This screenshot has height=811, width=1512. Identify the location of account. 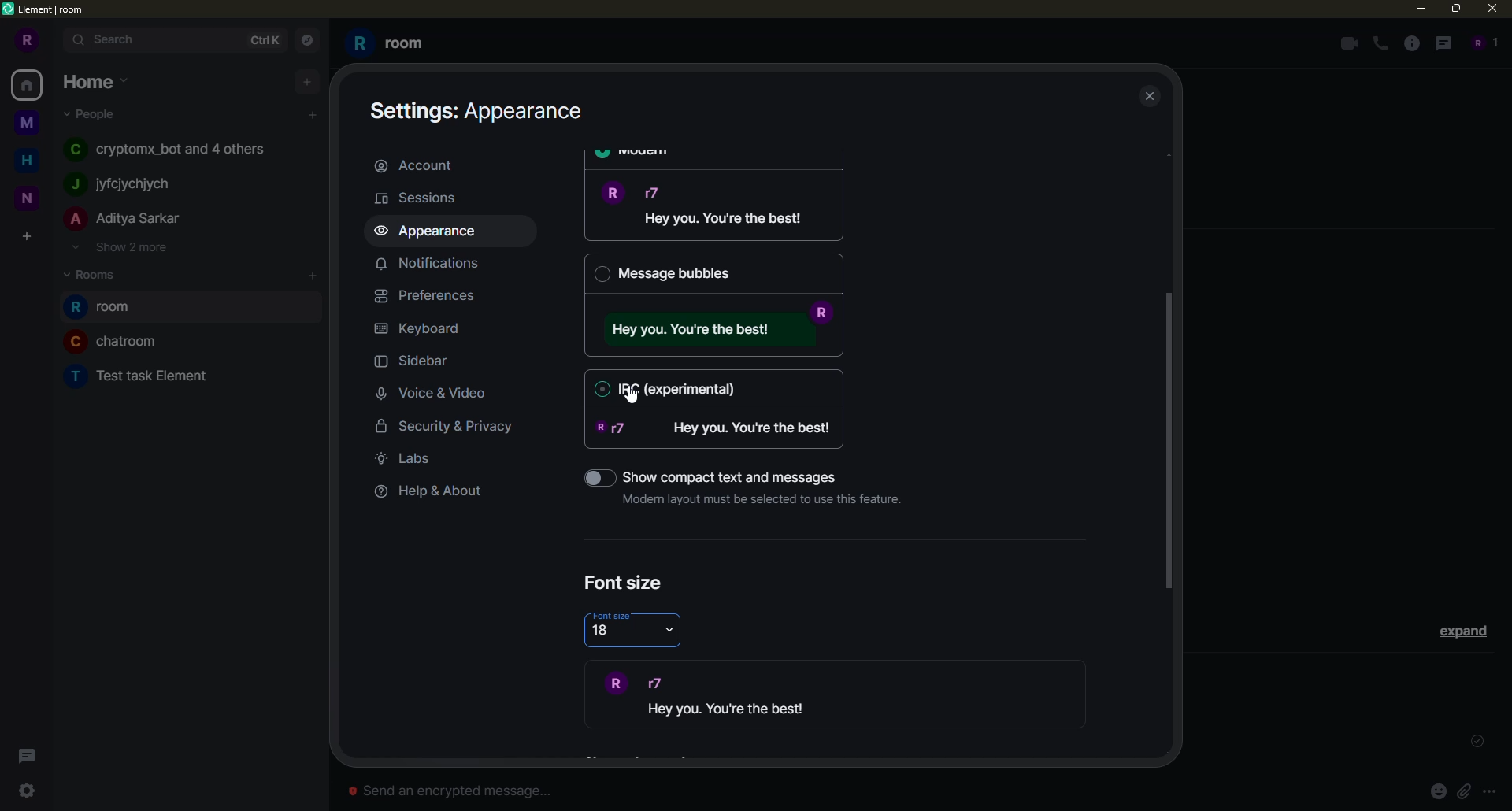
(416, 164).